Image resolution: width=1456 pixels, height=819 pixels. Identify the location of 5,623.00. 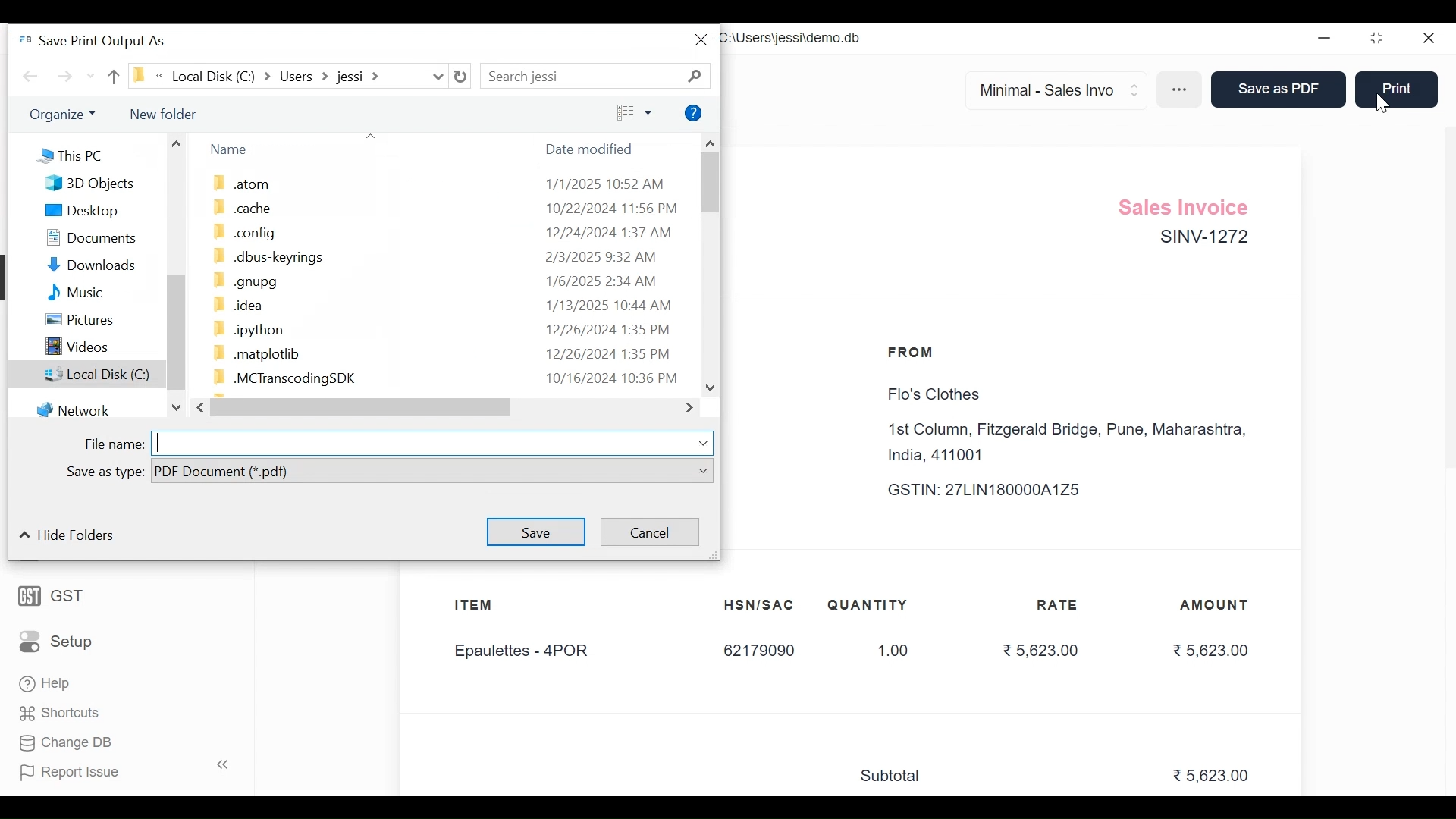
(1213, 777).